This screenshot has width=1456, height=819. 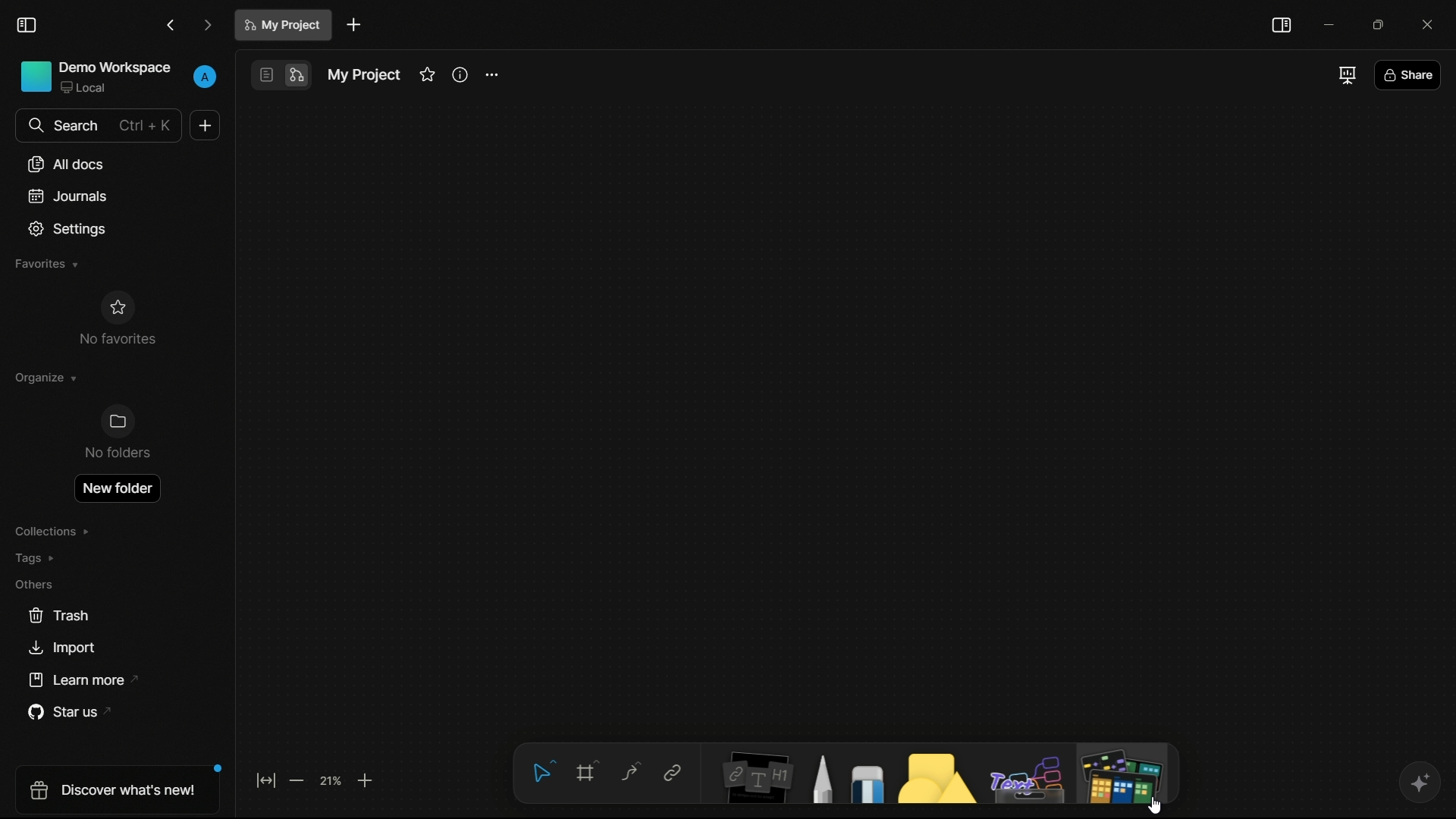 What do you see at coordinates (1417, 781) in the screenshot?
I see `ai assistant` at bounding box center [1417, 781].